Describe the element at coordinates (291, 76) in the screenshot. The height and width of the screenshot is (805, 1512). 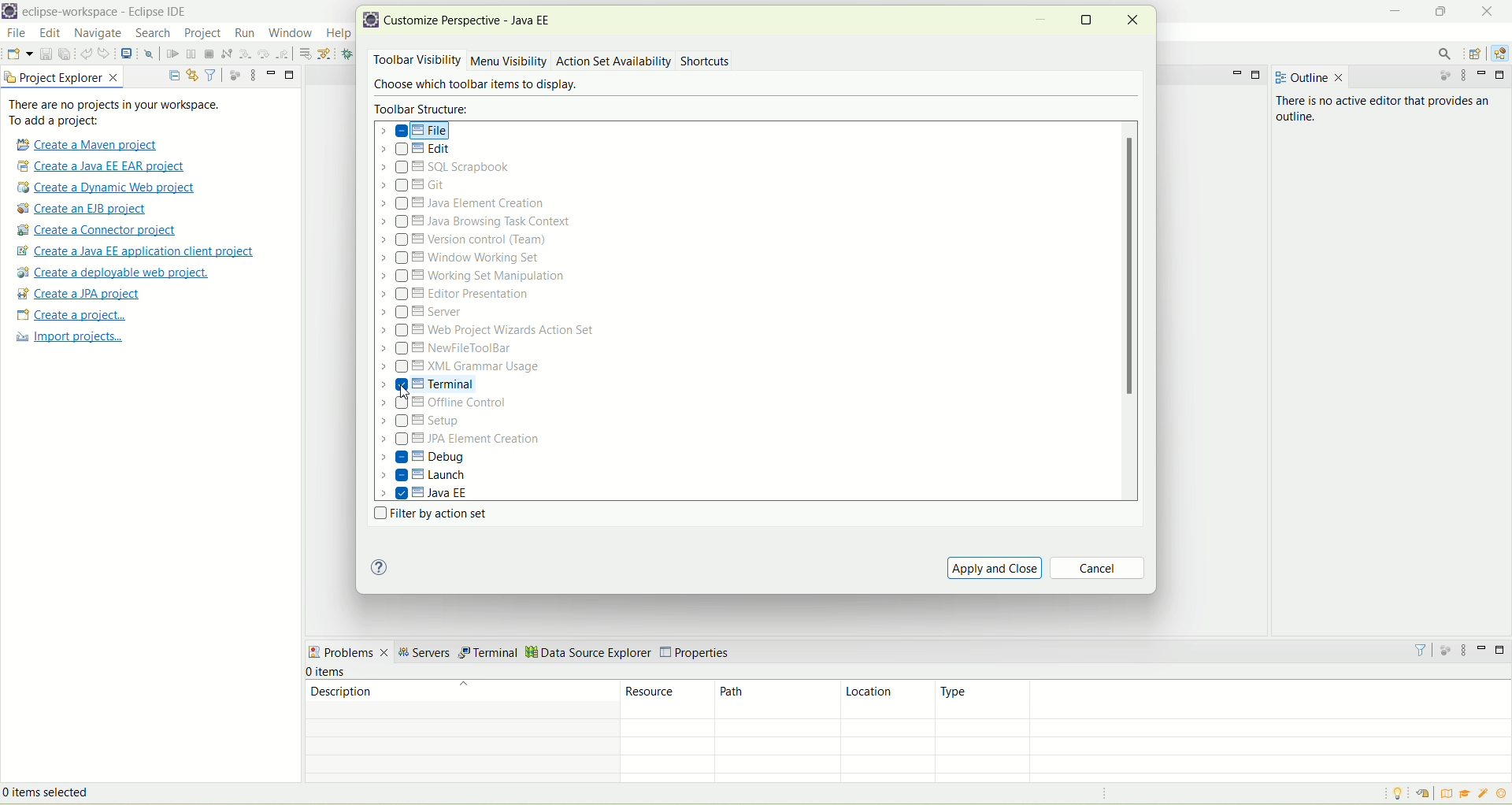
I see `maximize` at that location.